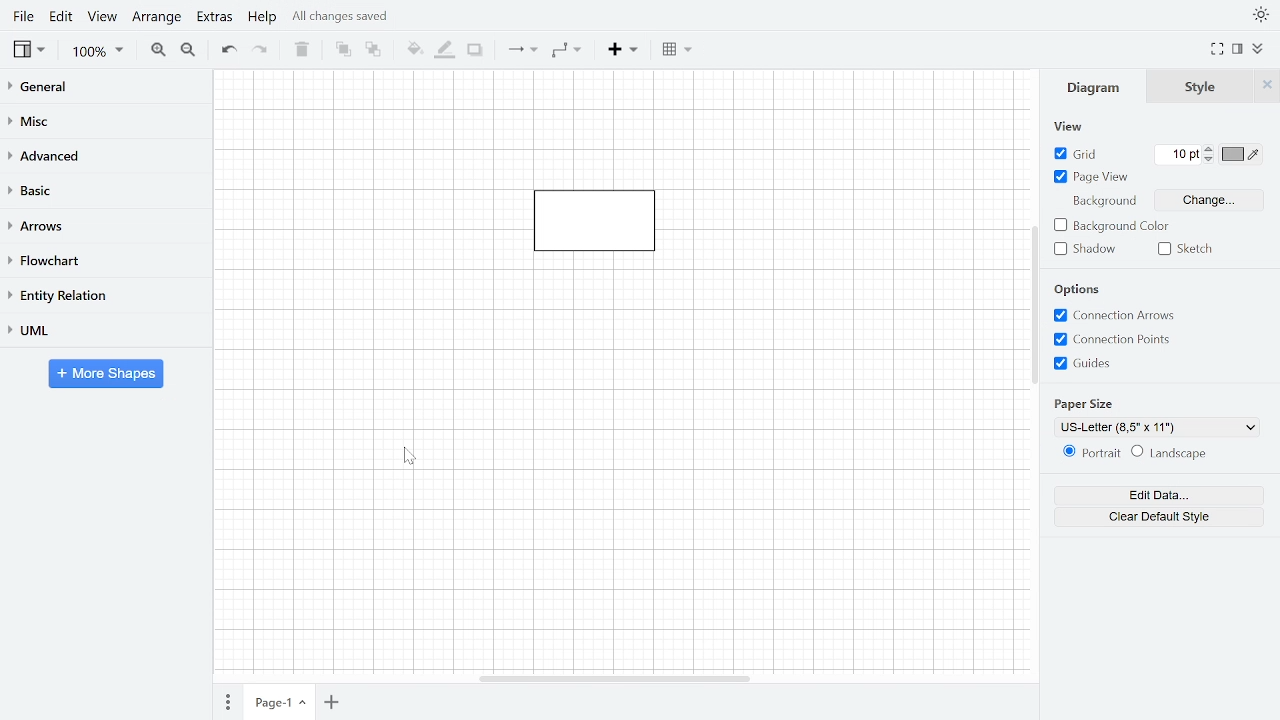  Describe the element at coordinates (1189, 251) in the screenshot. I see `Sketch` at that location.